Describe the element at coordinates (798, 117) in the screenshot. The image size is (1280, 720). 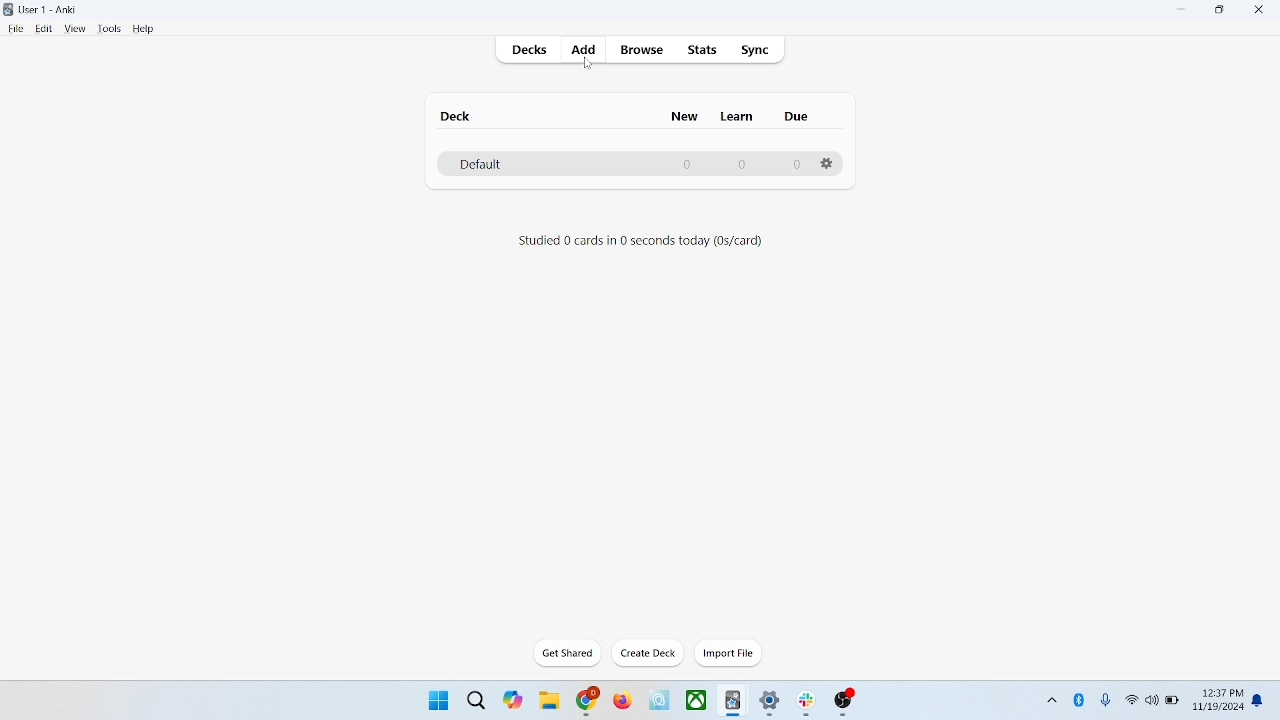
I see `due` at that location.